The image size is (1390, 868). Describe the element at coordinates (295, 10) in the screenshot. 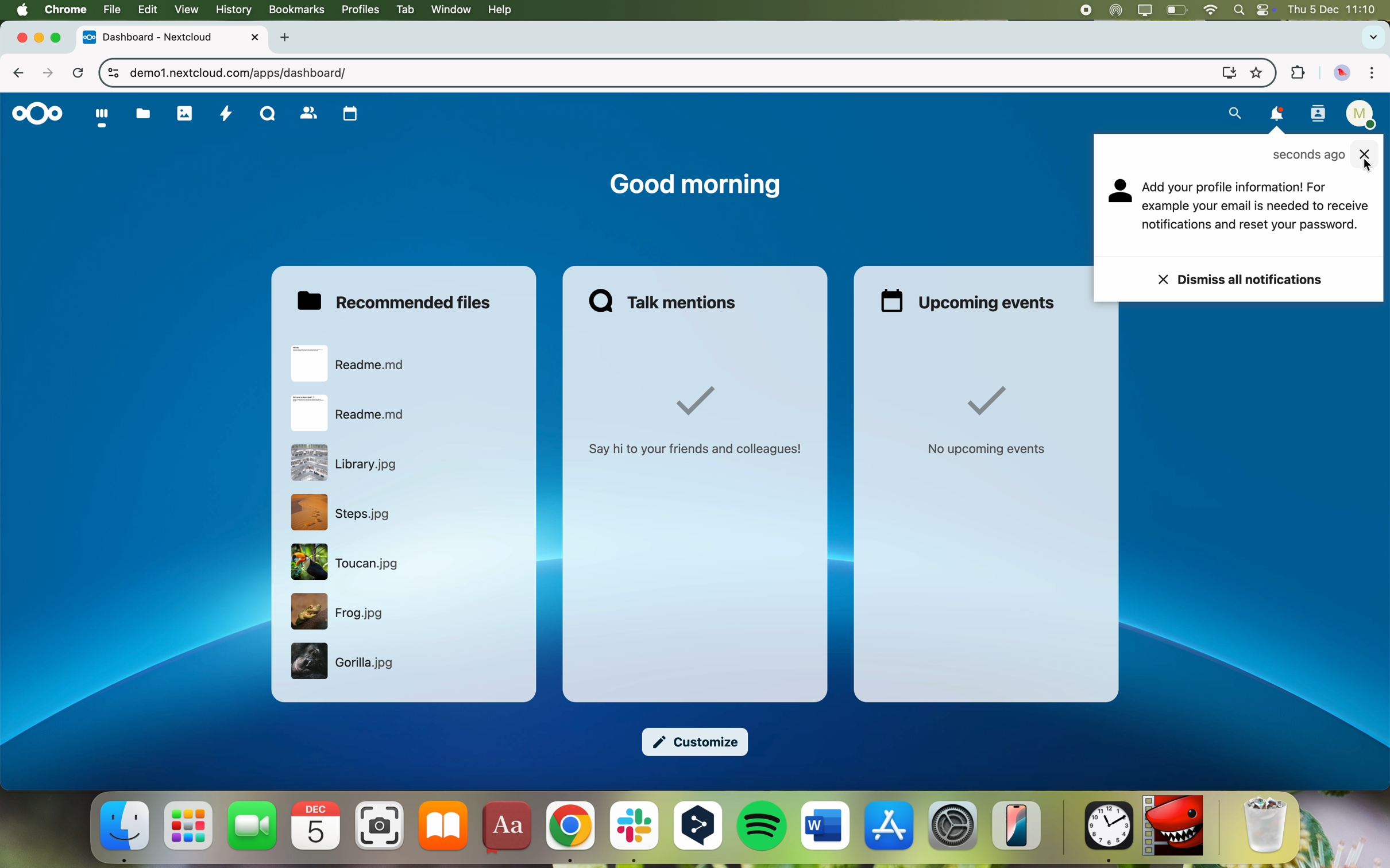

I see `bookmarks` at that location.